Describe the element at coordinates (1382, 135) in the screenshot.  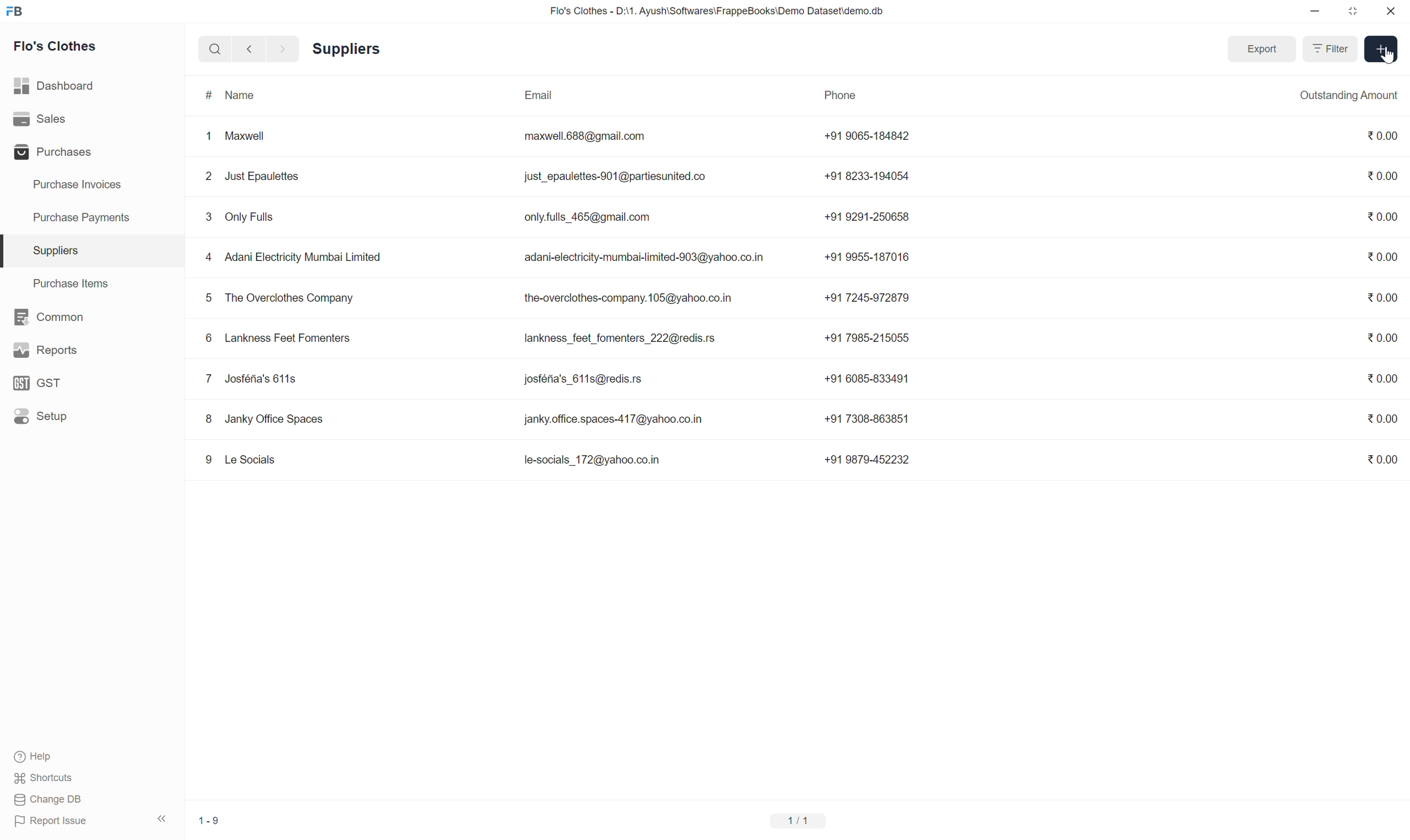
I see `0.00` at that location.